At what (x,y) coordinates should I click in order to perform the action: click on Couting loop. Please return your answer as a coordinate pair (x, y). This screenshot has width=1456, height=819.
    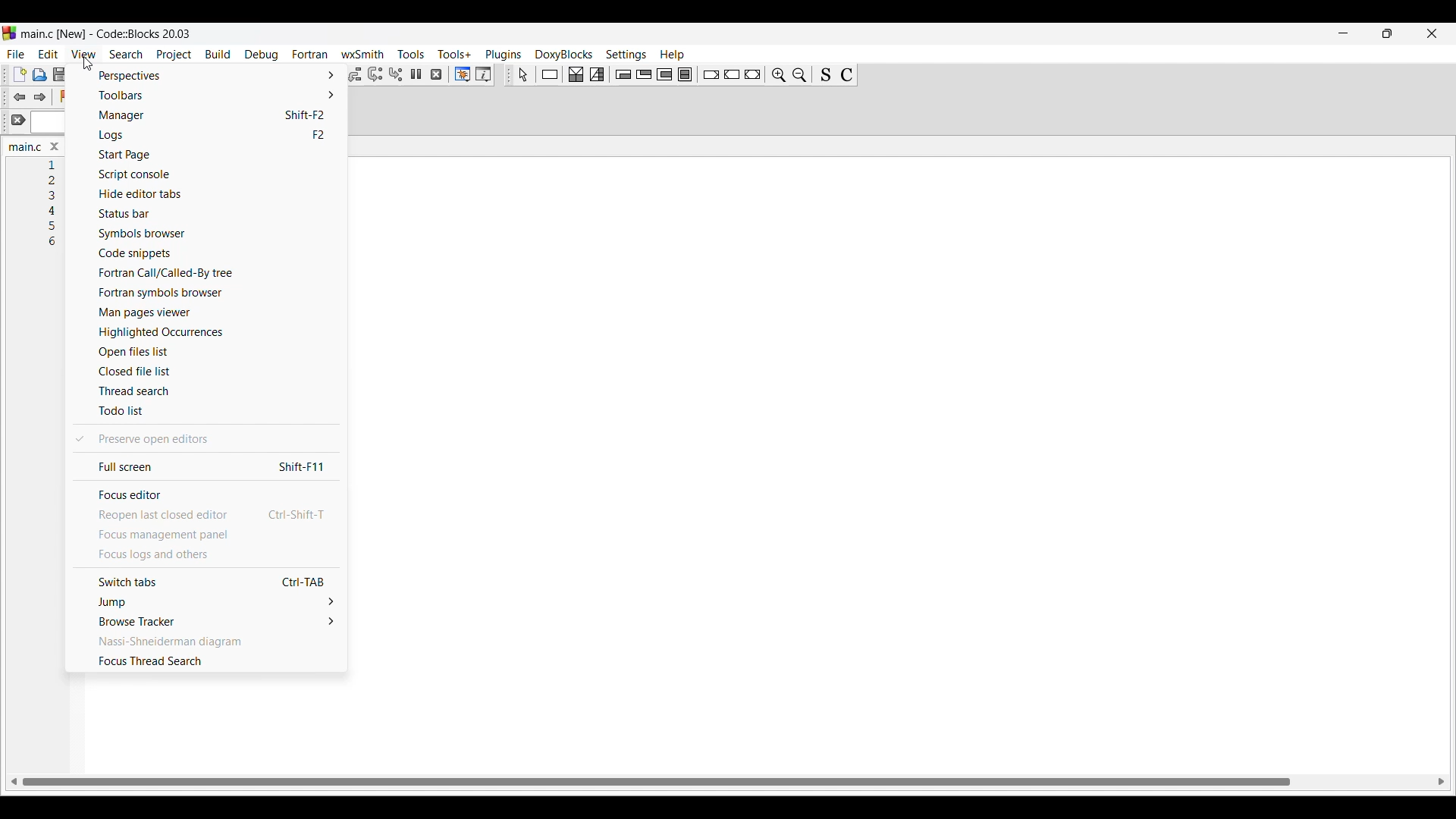
    Looking at the image, I should click on (664, 74).